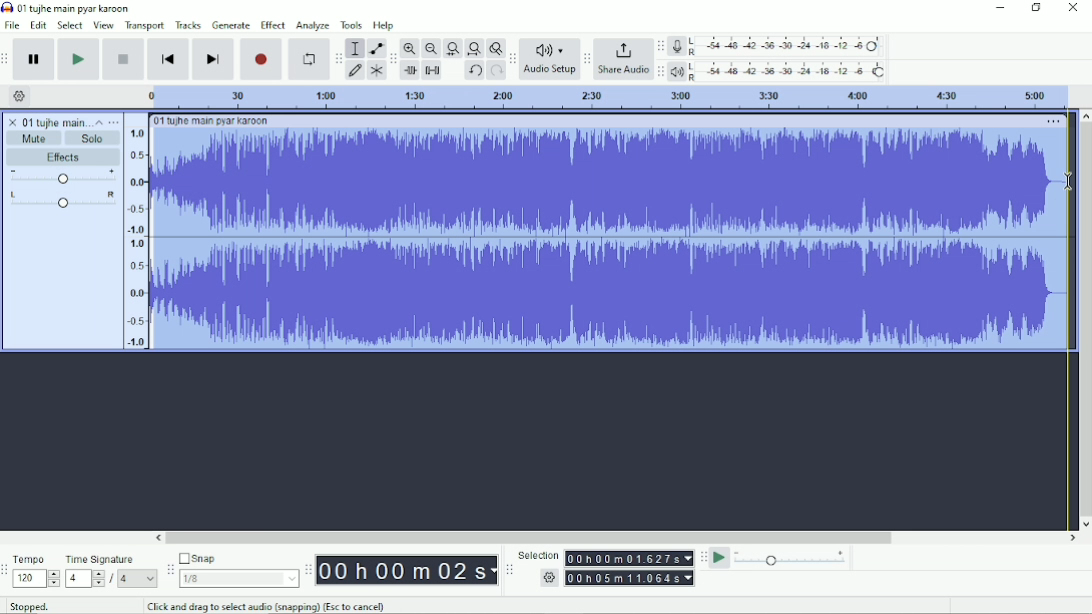 The width and height of the screenshot is (1092, 614). What do you see at coordinates (1054, 122) in the screenshot?
I see `More options` at bounding box center [1054, 122].